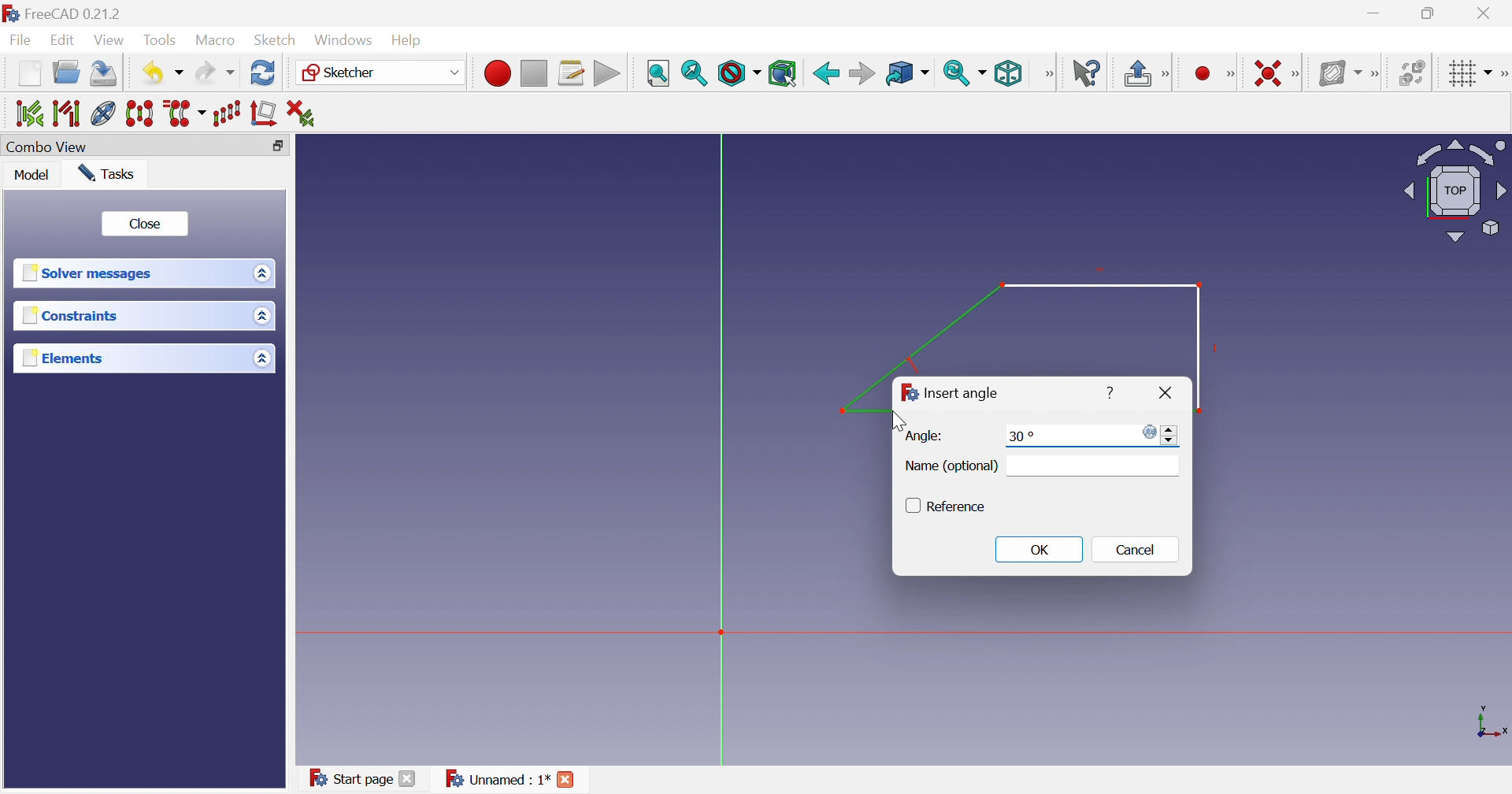  Describe the element at coordinates (1430, 13) in the screenshot. I see `Restore Down` at that location.